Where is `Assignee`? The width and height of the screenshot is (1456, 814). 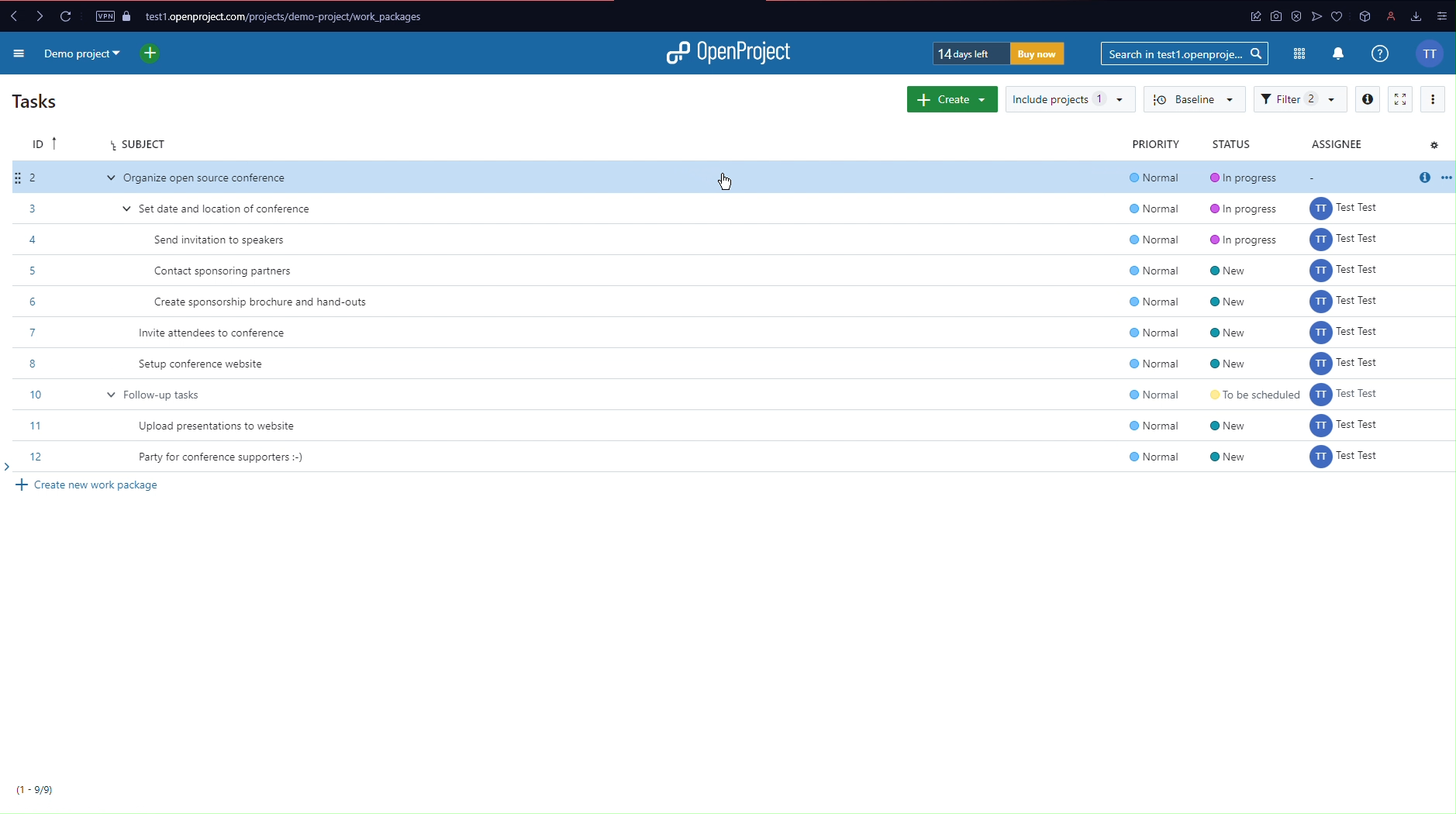
Assignee is located at coordinates (1337, 146).